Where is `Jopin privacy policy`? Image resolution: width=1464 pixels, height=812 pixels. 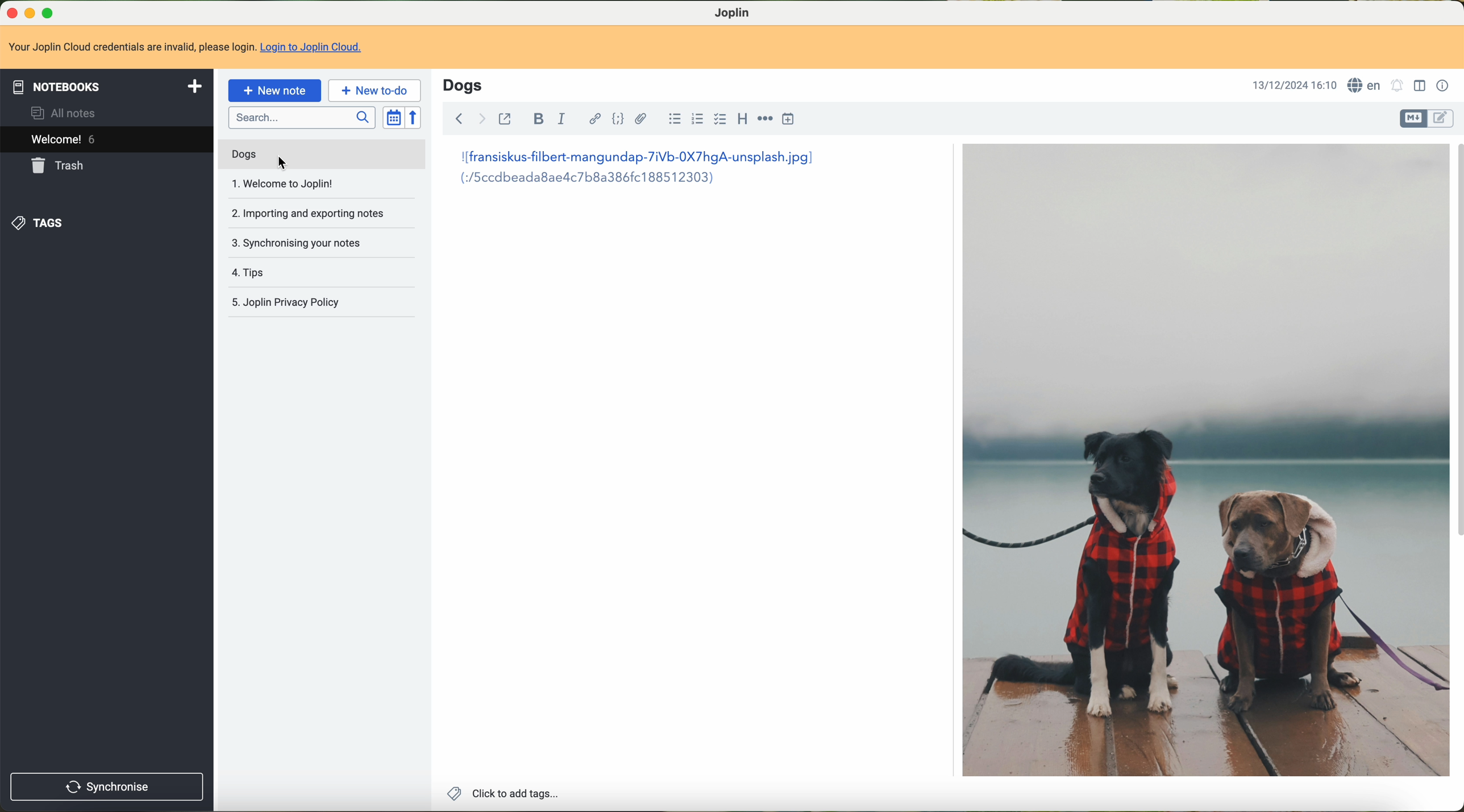 Jopin privacy policy is located at coordinates (291, 300).